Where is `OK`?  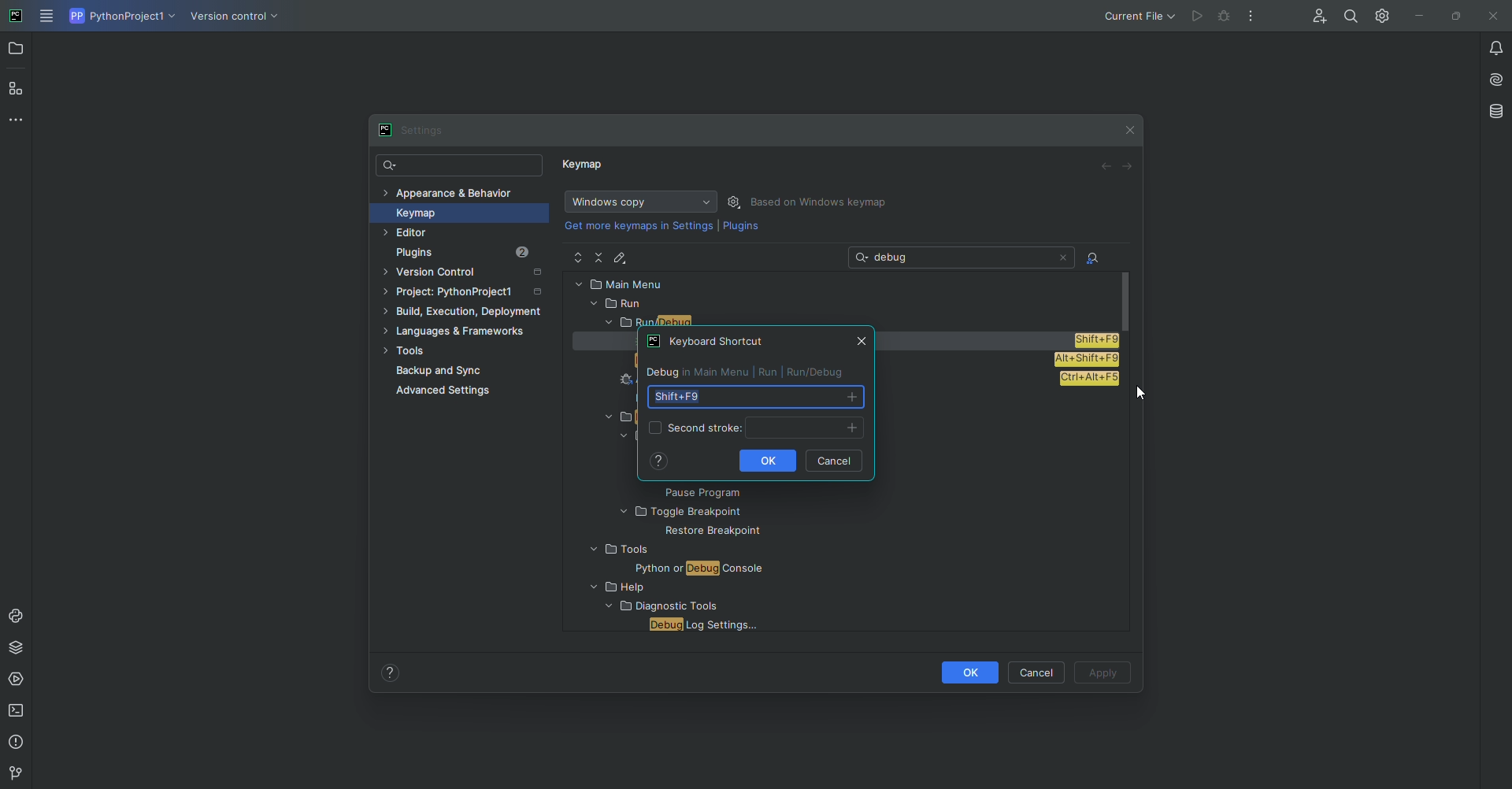
OK is located at coordinates (968, 672).